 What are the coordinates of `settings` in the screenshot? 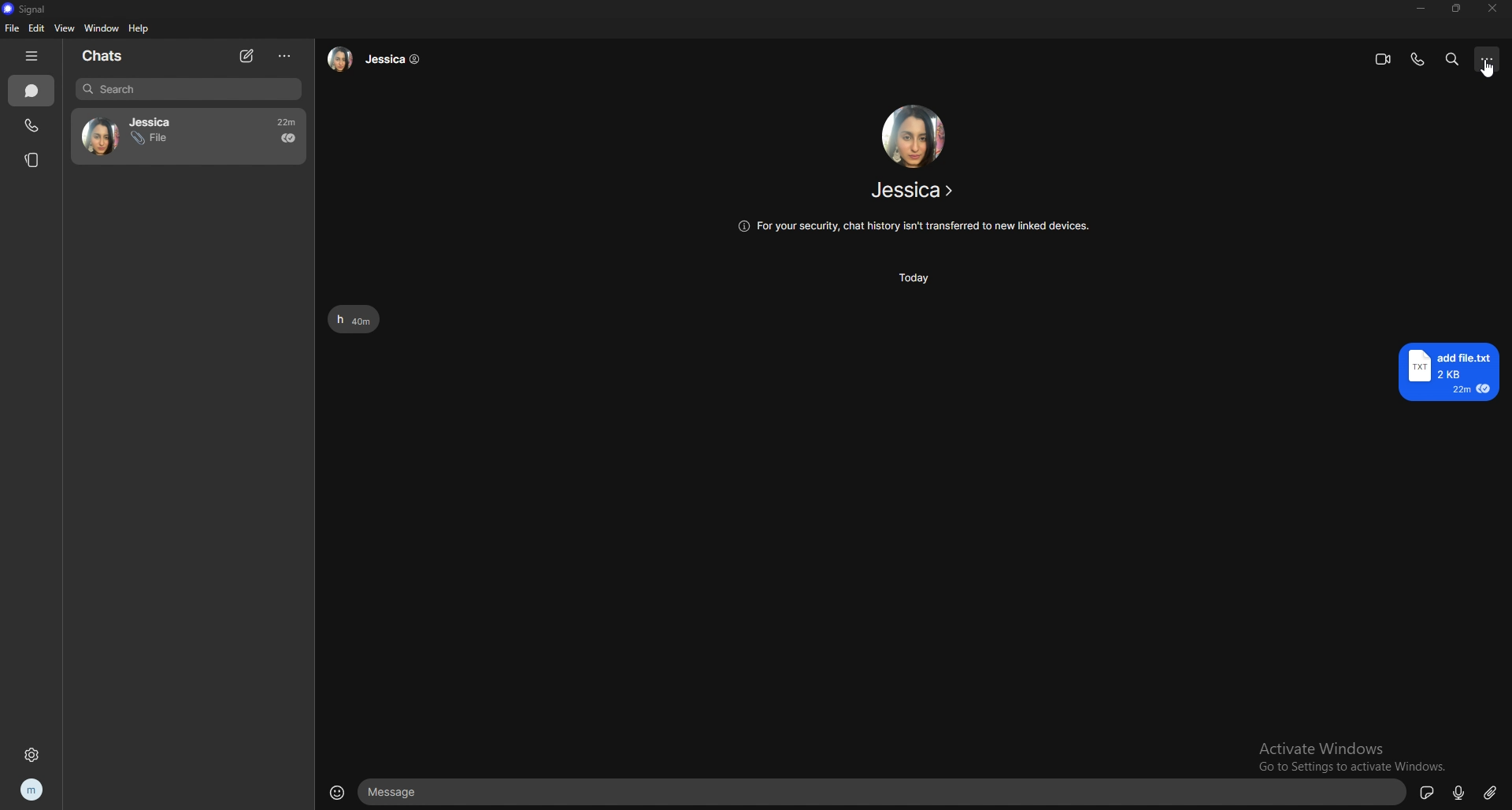 It's located at (31, 755).